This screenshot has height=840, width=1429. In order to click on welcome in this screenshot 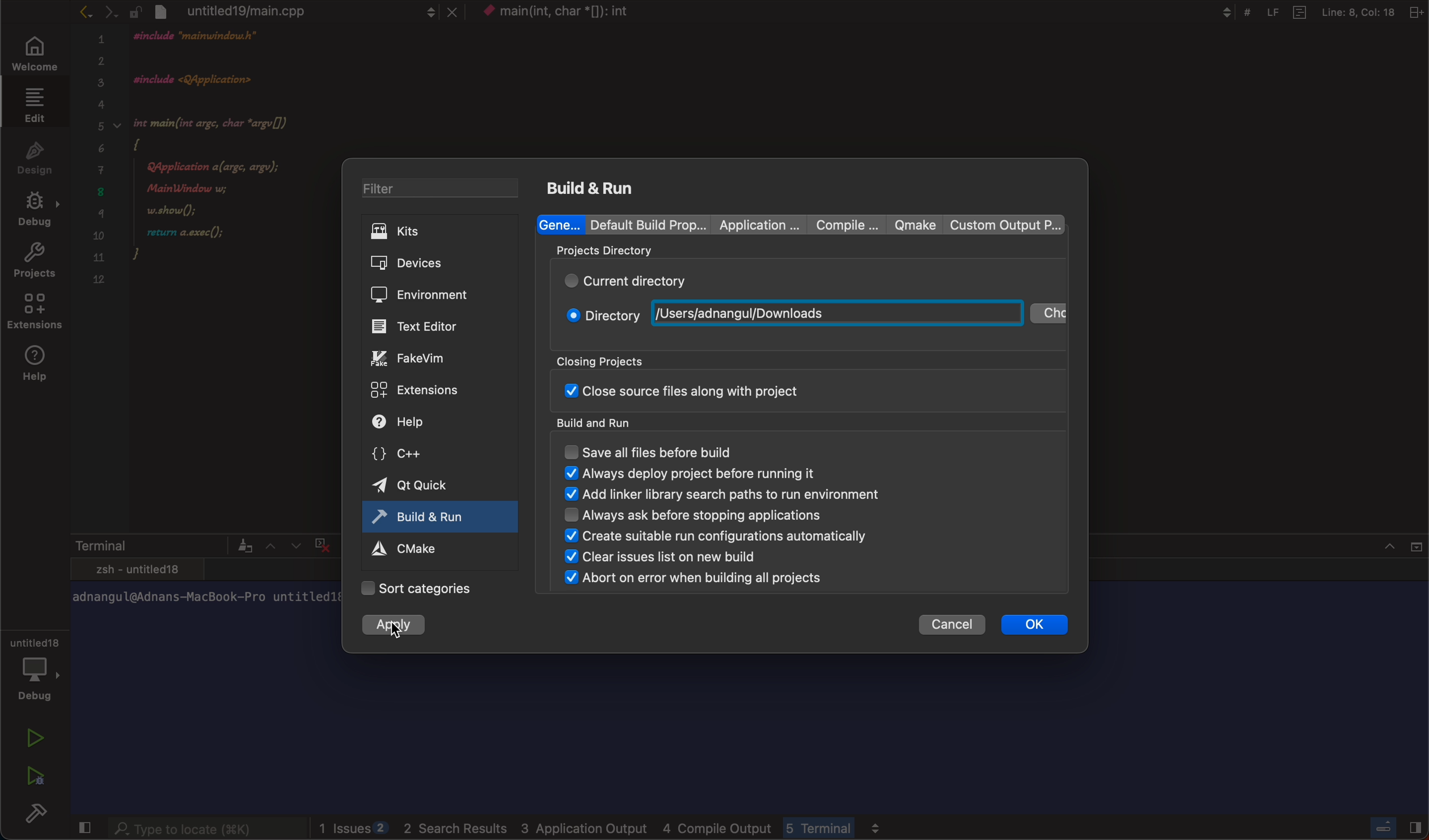, I will do `click(35, 54)`.